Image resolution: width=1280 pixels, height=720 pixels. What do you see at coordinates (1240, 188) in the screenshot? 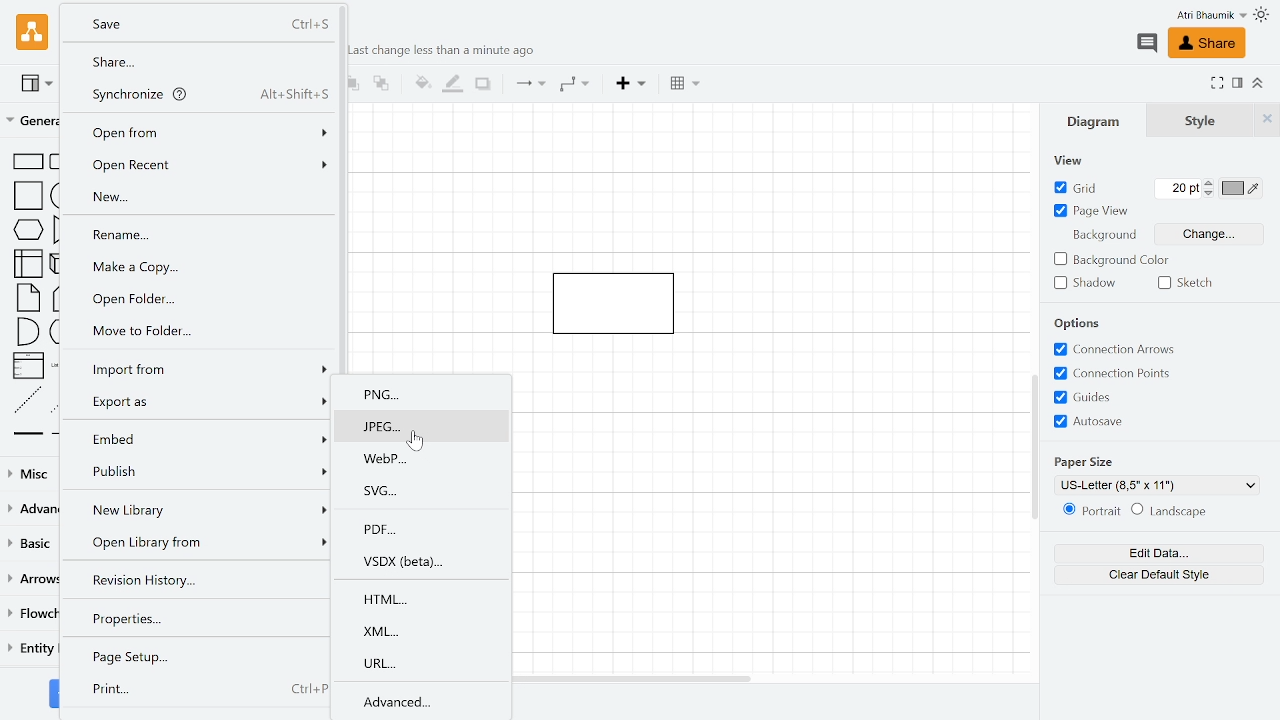
I see `Grid color` at bounding box center [1240, 188].